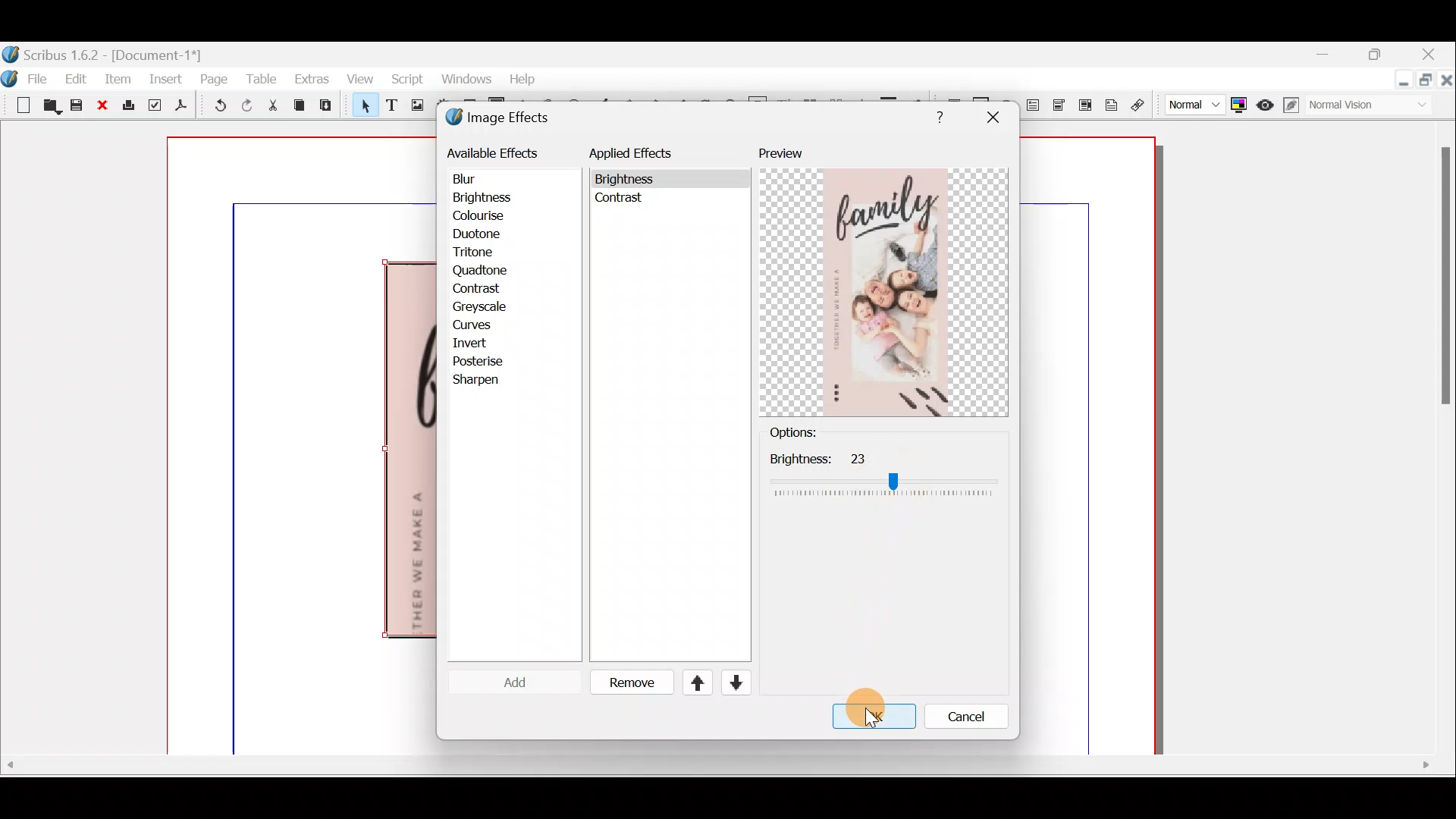  I want to click on Script, so click(406, 81).